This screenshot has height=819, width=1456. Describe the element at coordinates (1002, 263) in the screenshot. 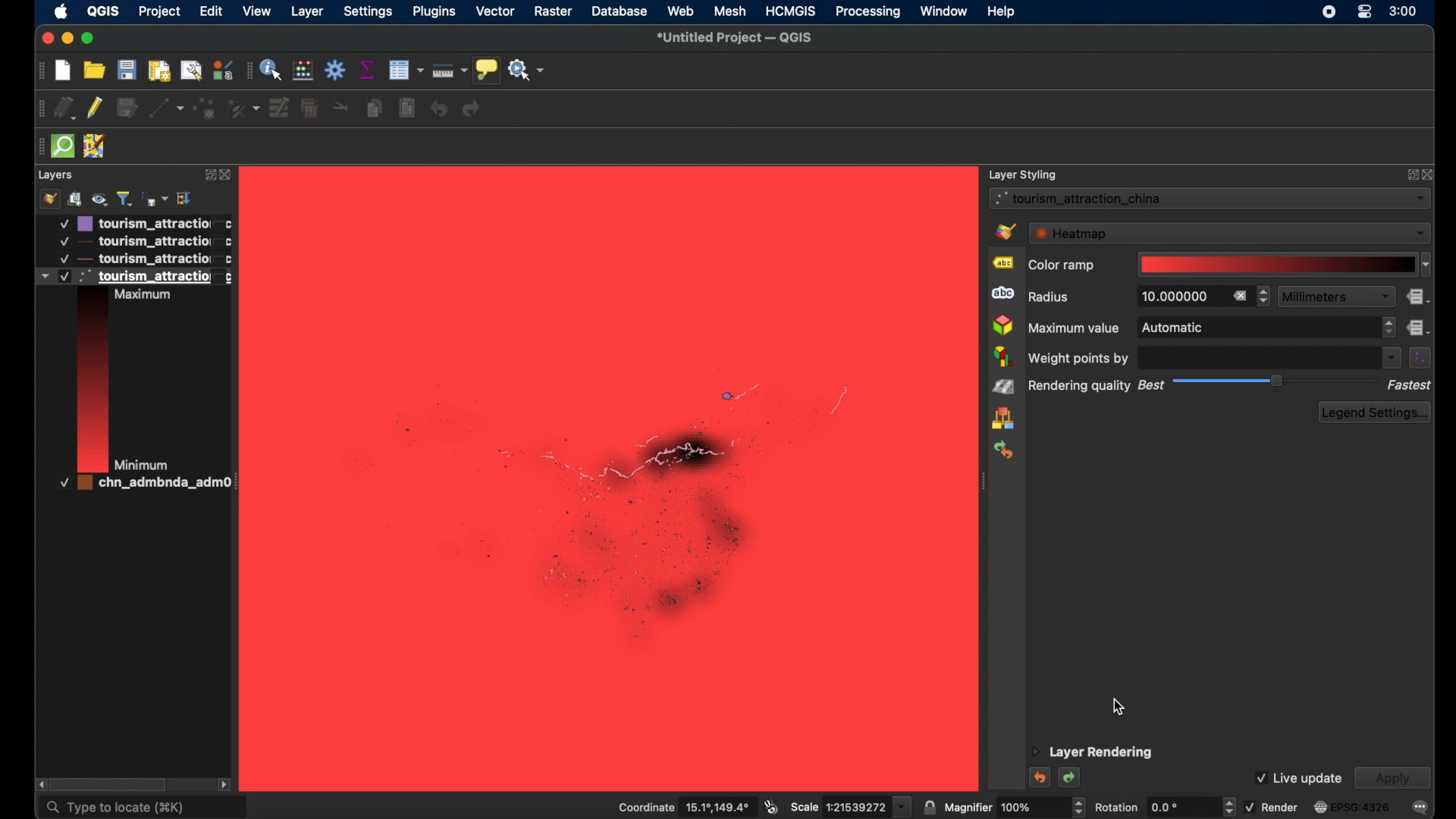

I see `labels` at that location.